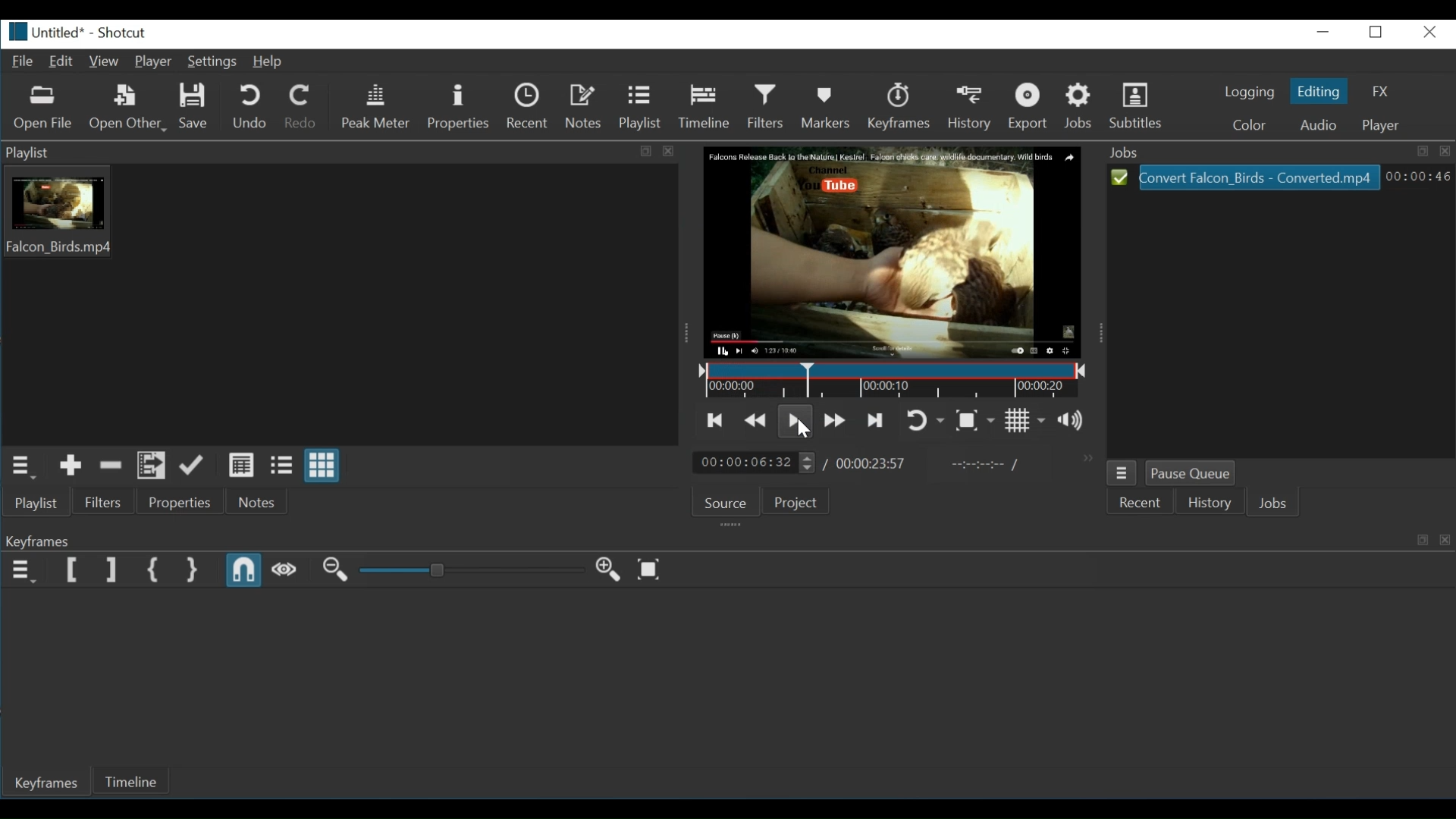  What do you see at coordinates (252, 105) in the screenshot?
I see `Undo` at bounding box center [252, 105].